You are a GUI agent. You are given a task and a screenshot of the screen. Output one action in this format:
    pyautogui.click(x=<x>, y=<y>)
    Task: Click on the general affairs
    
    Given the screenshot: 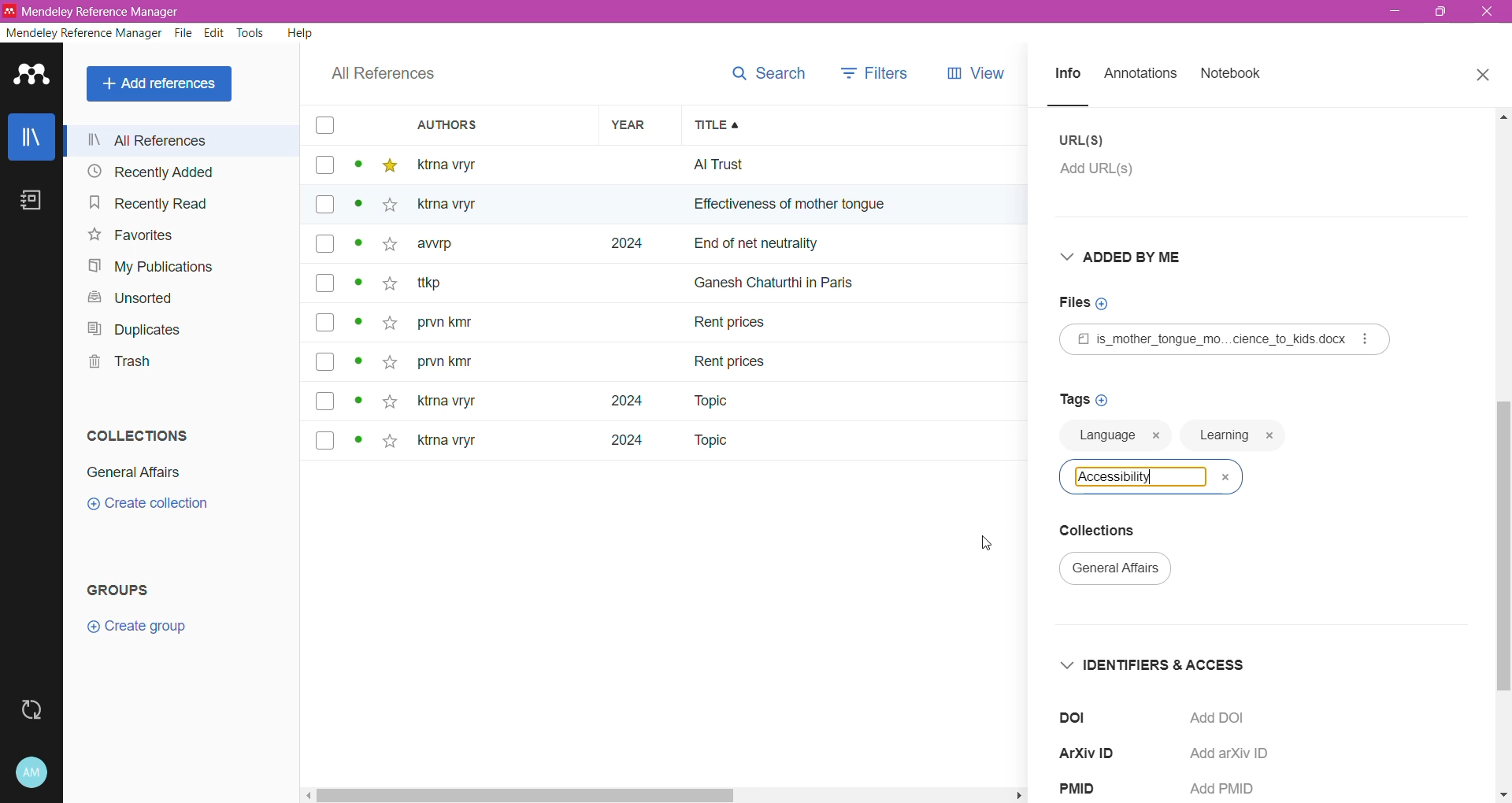 What is the action you would take?
    pyautogui.click(x=1124, y=572)
    